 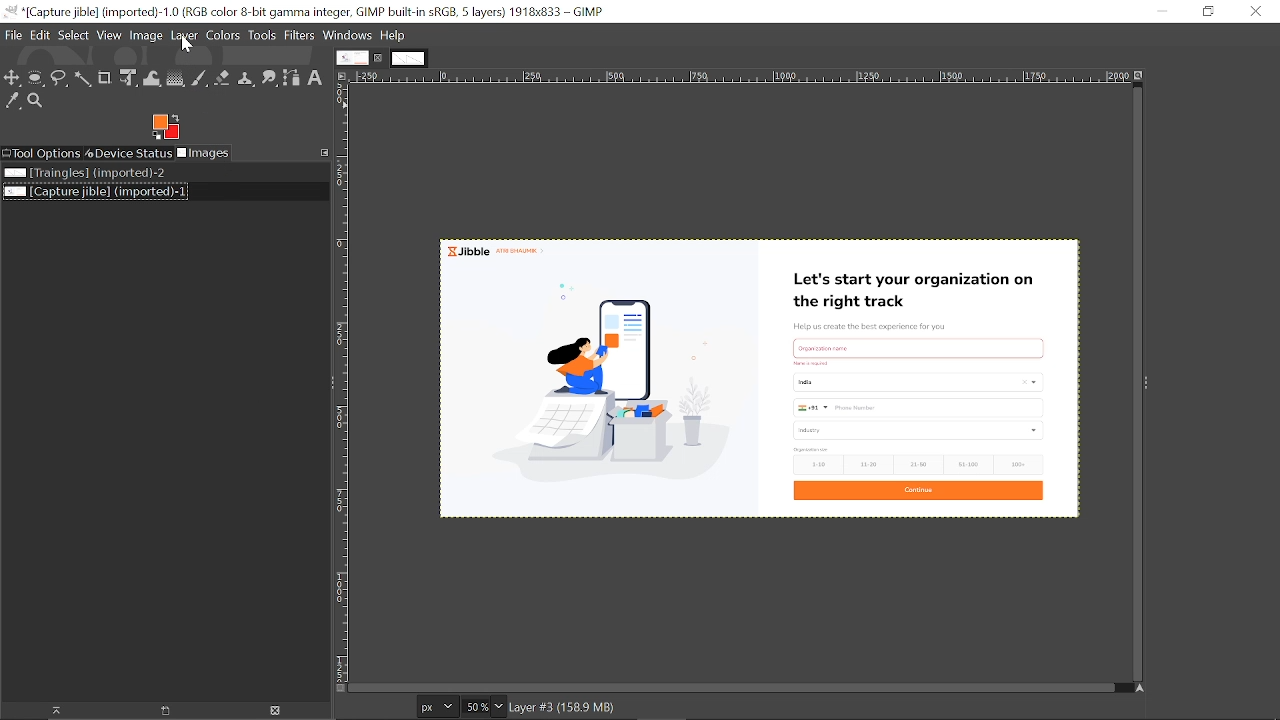 I want to click on View, so click(x=109, y=35).